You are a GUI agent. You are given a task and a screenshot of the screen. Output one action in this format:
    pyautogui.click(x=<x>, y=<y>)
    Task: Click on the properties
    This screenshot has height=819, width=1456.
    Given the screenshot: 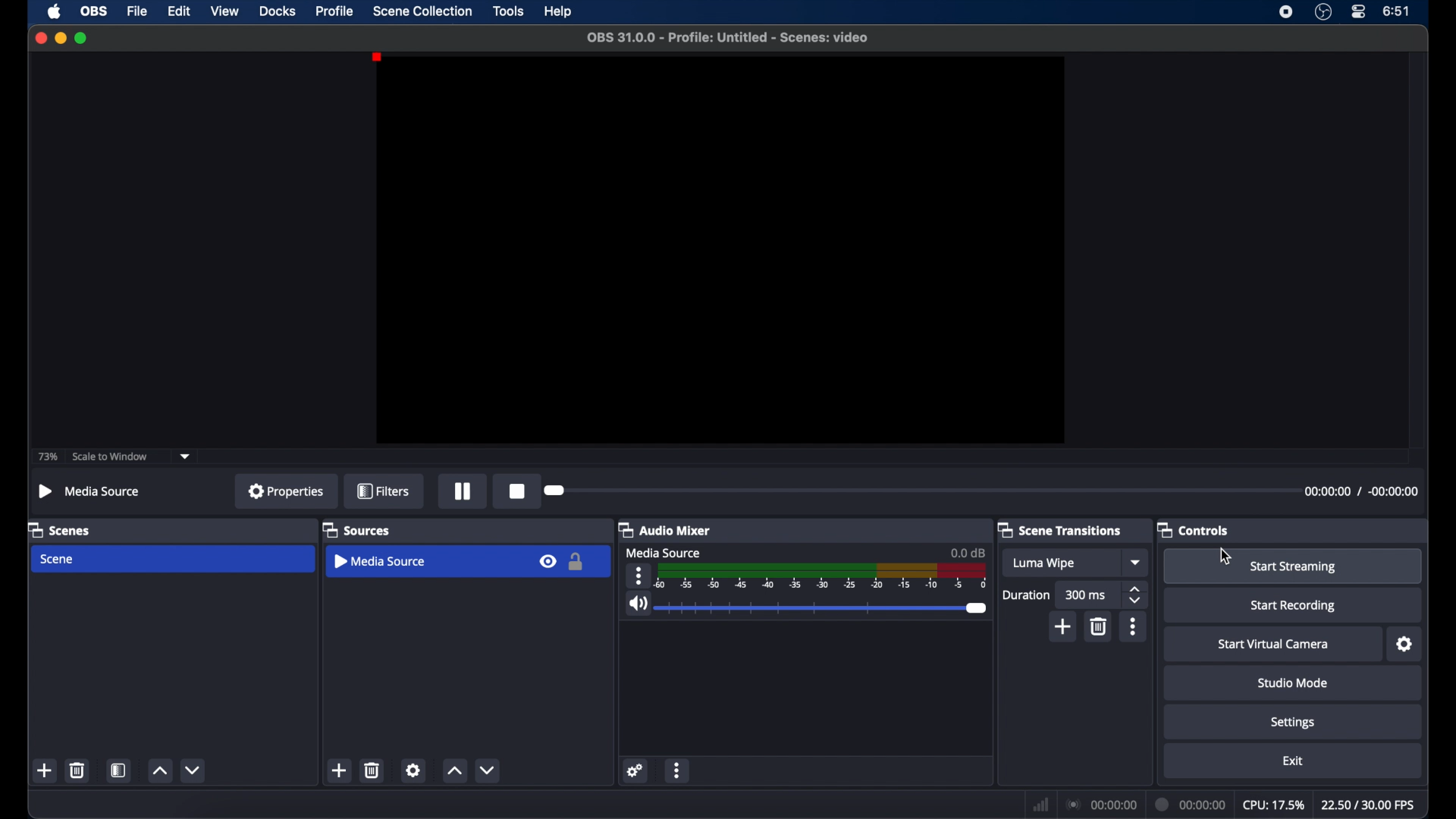 What is the action you would take?
    pyautogui.click(x=287, y=491)
    